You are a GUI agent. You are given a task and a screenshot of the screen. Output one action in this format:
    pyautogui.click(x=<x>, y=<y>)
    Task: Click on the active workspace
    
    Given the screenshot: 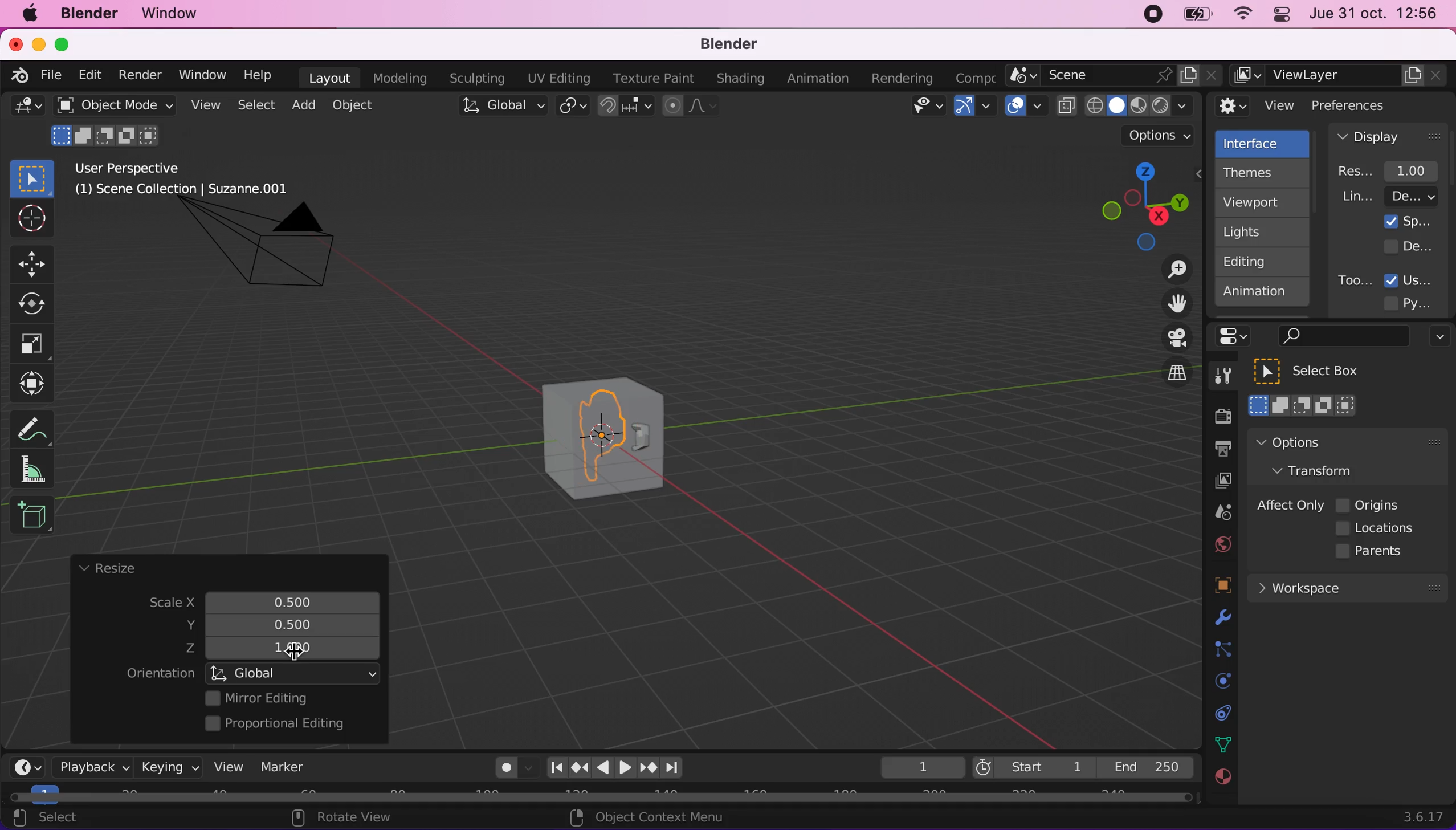 What is the action you would take?
    pyautogui.click(x=971, y=76)
    